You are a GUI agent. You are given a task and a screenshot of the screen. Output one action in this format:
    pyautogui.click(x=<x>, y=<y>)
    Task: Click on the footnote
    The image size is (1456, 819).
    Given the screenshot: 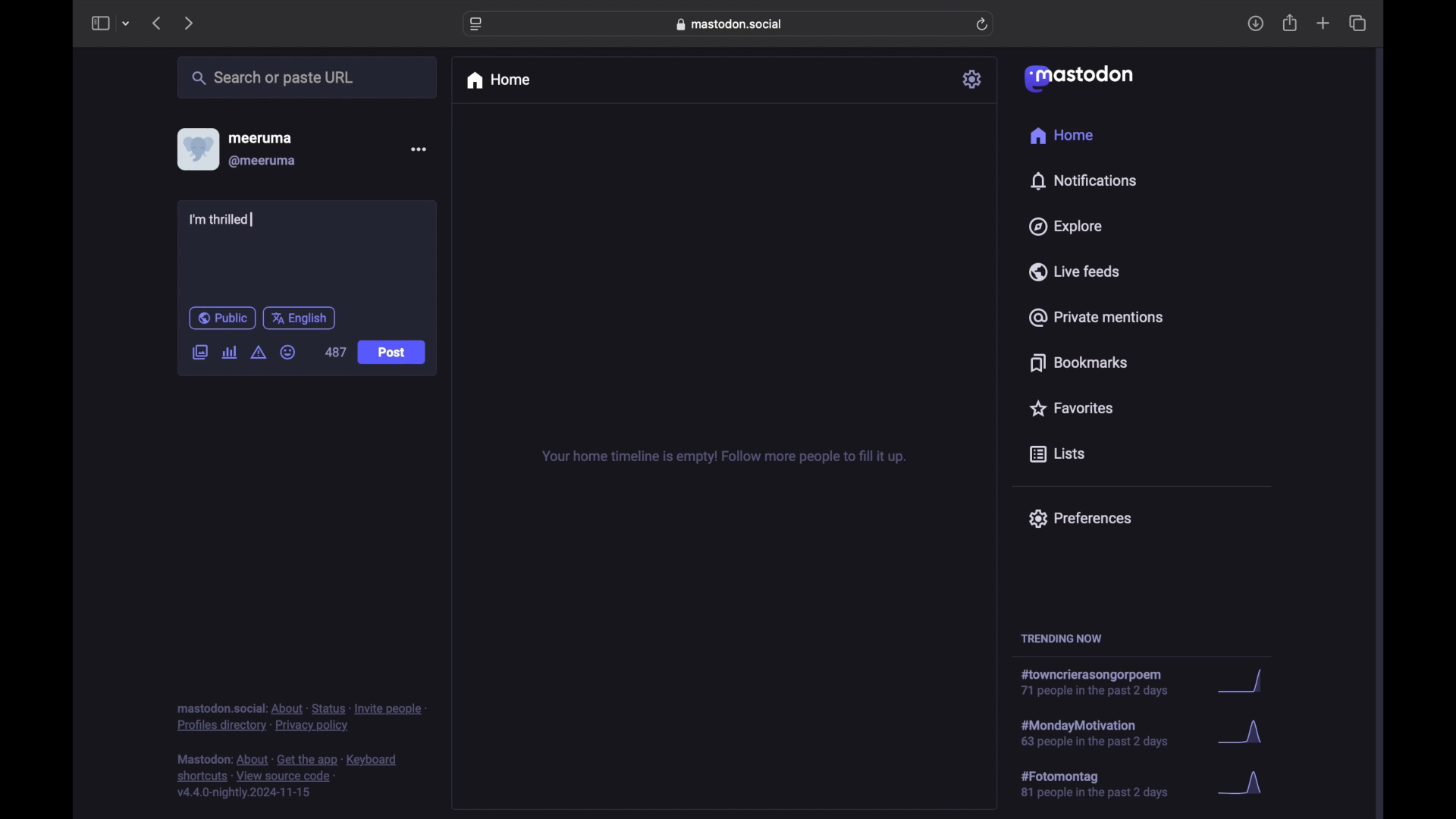 What is the action you would take?
    pyautogui.click(x=287, y=777)
    